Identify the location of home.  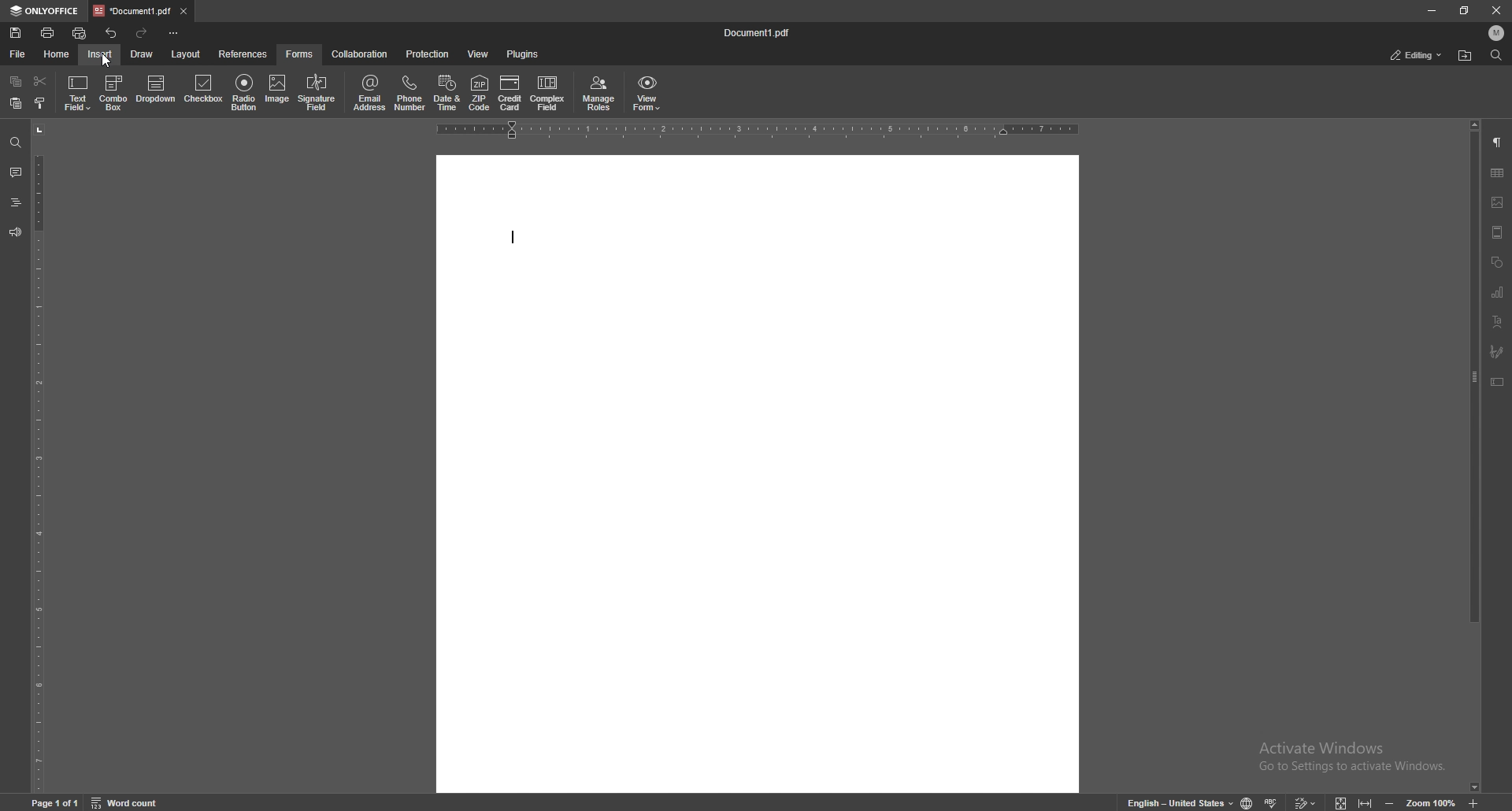
(57, 54).